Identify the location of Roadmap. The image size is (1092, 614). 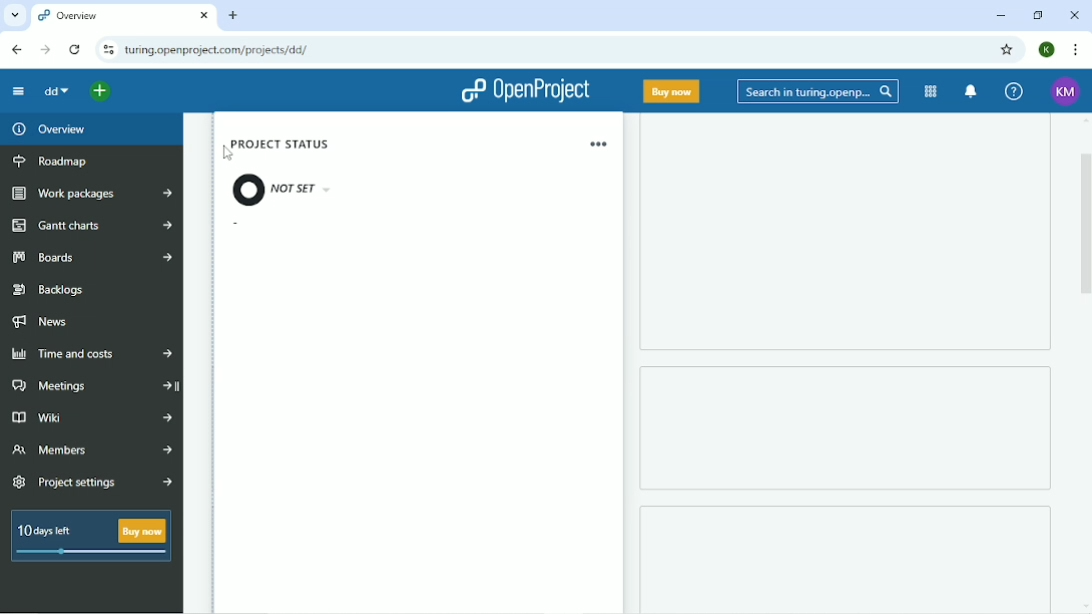
(53, 161).